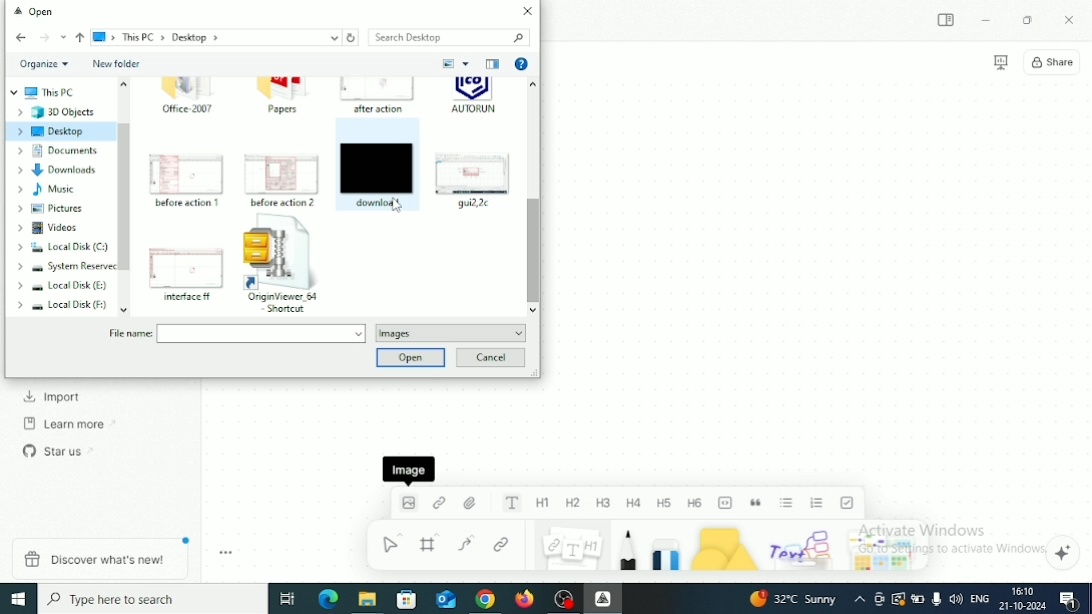  I want to click on after action, so click(377, 96).